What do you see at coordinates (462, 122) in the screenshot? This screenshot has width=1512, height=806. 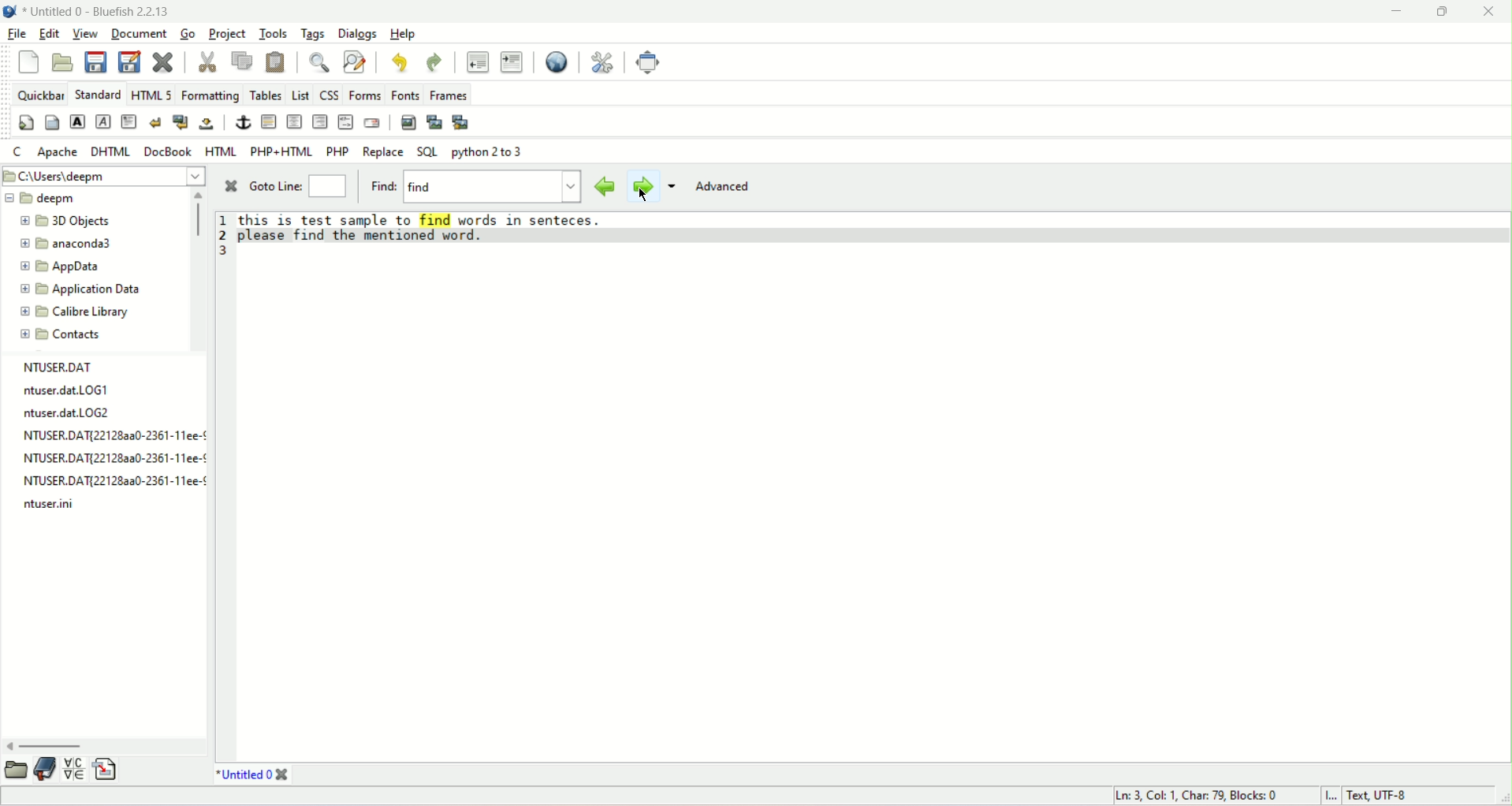 I see `multi thumbnail` at bounding box center [462, 122].